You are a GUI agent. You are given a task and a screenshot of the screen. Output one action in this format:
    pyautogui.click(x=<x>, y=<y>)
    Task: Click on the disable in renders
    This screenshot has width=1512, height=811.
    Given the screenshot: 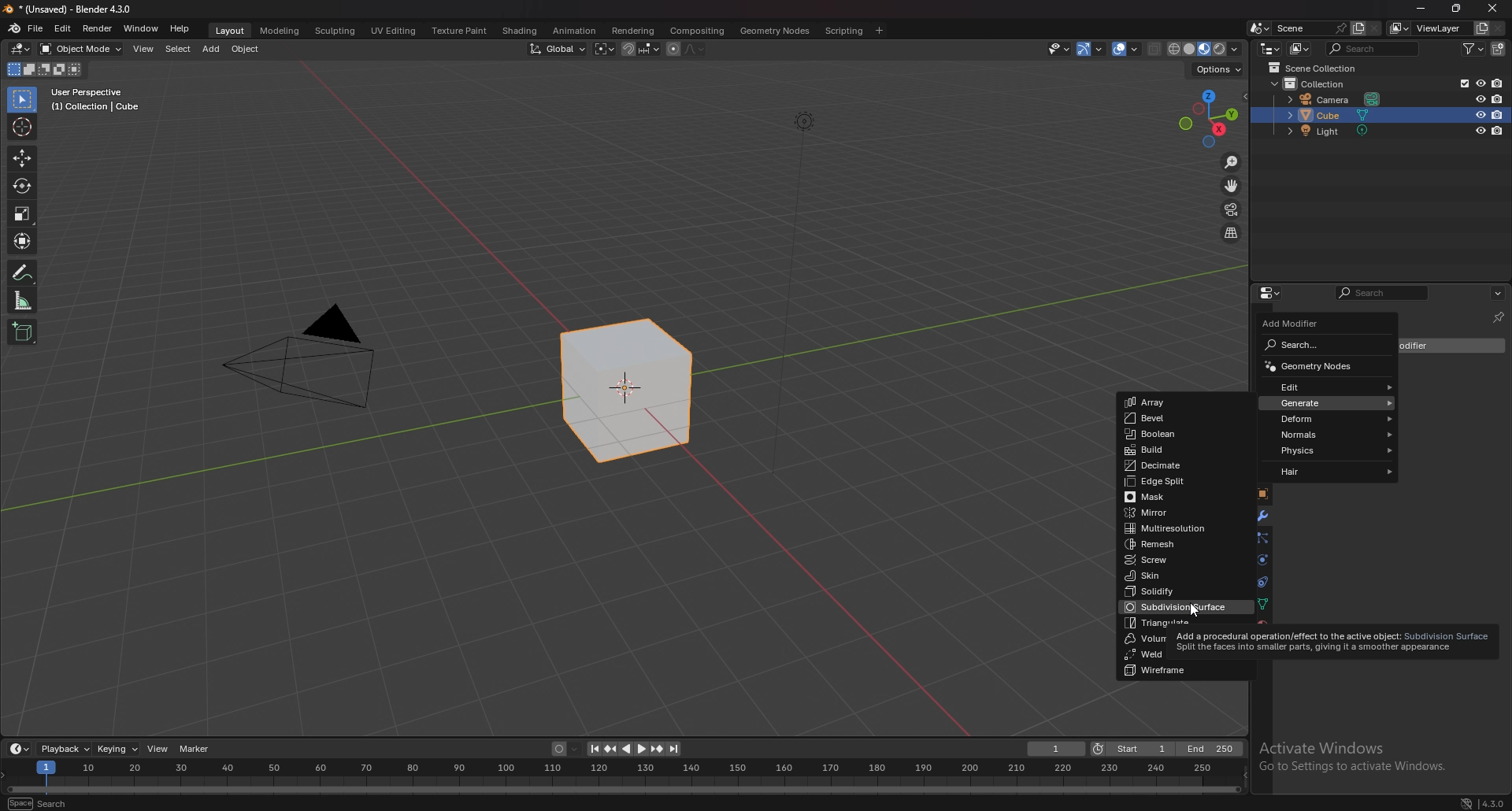 What is the action you would take?
    pyautogui.click(x=1498, y=83)
    